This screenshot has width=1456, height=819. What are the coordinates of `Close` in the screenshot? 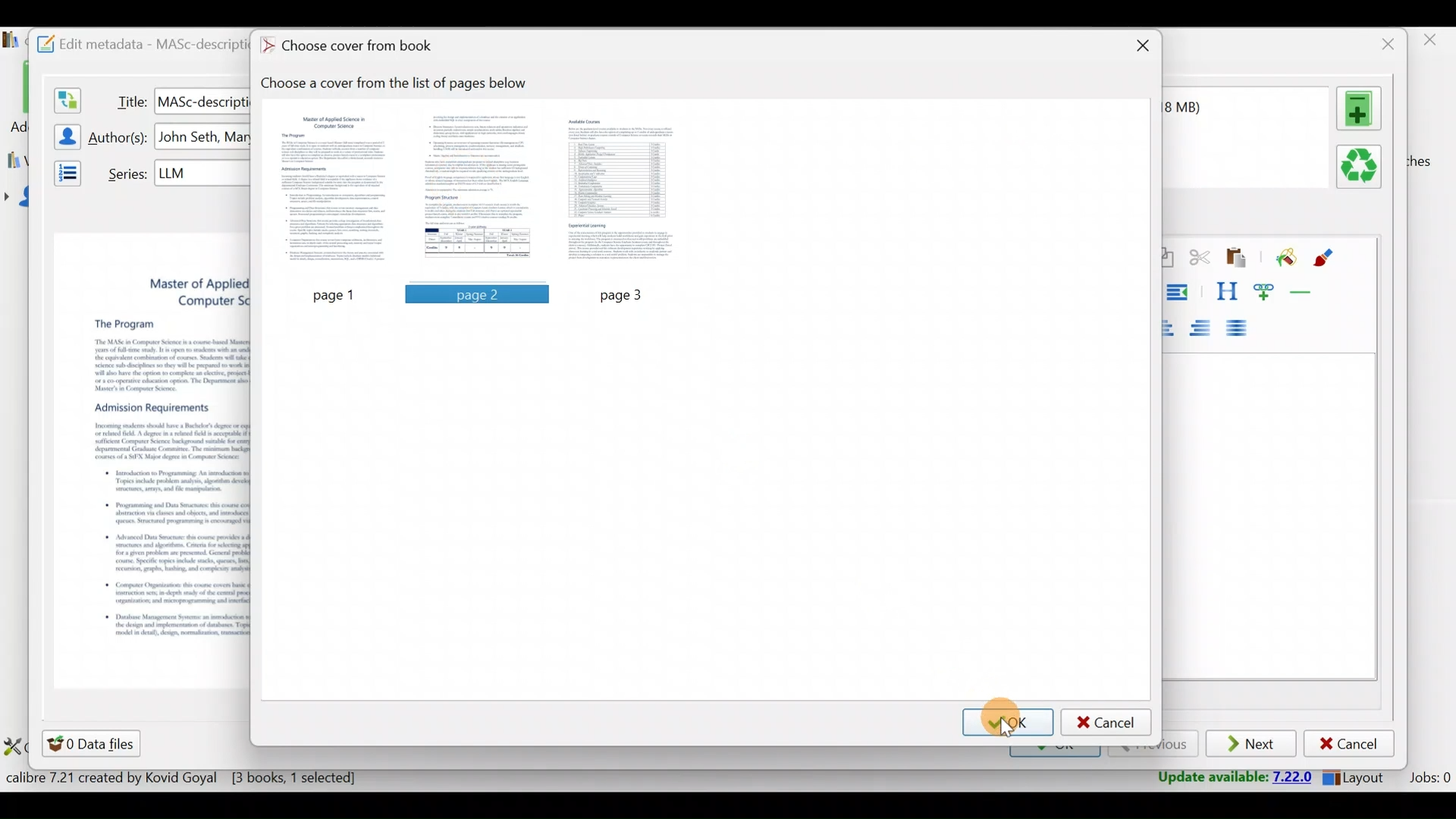 It's located at (1384, 44).